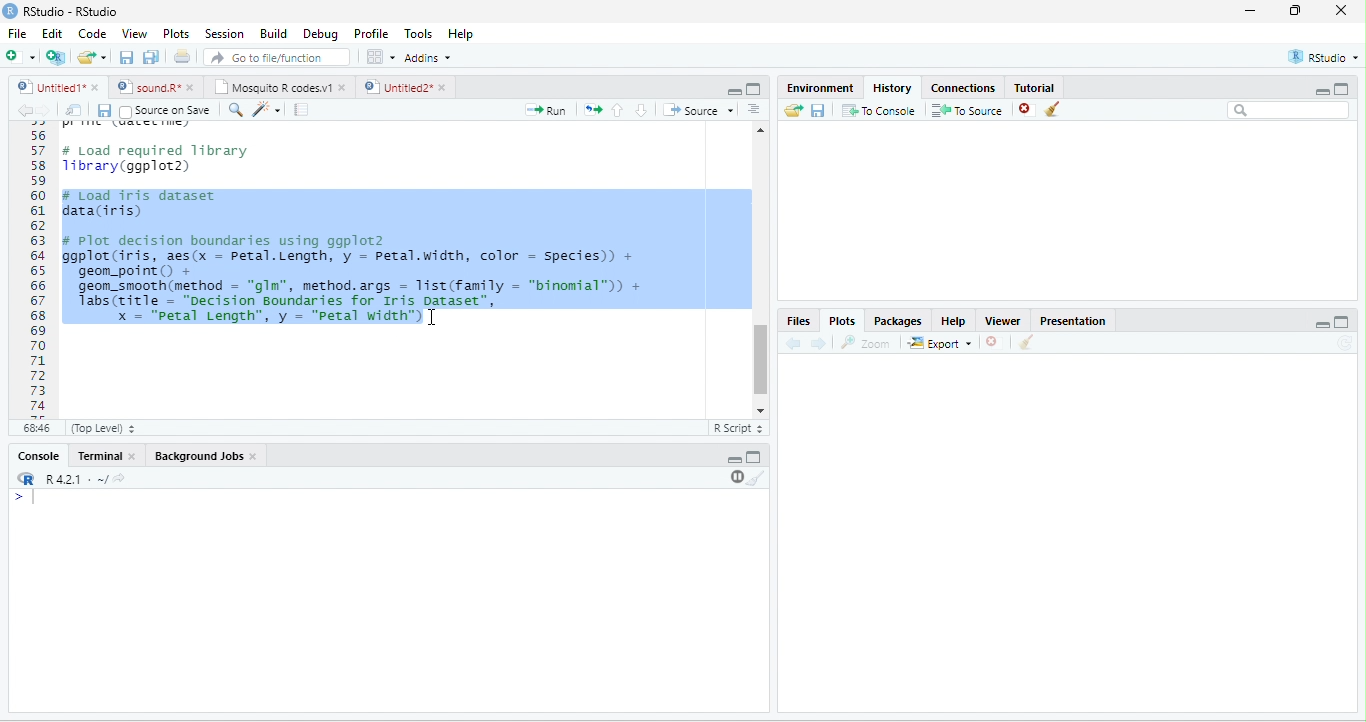 This screenshot has height=722, width=1366. What do you see at coordinates (17, 33) in the screenshot?
I see `File` at bounding box center [17, 33].